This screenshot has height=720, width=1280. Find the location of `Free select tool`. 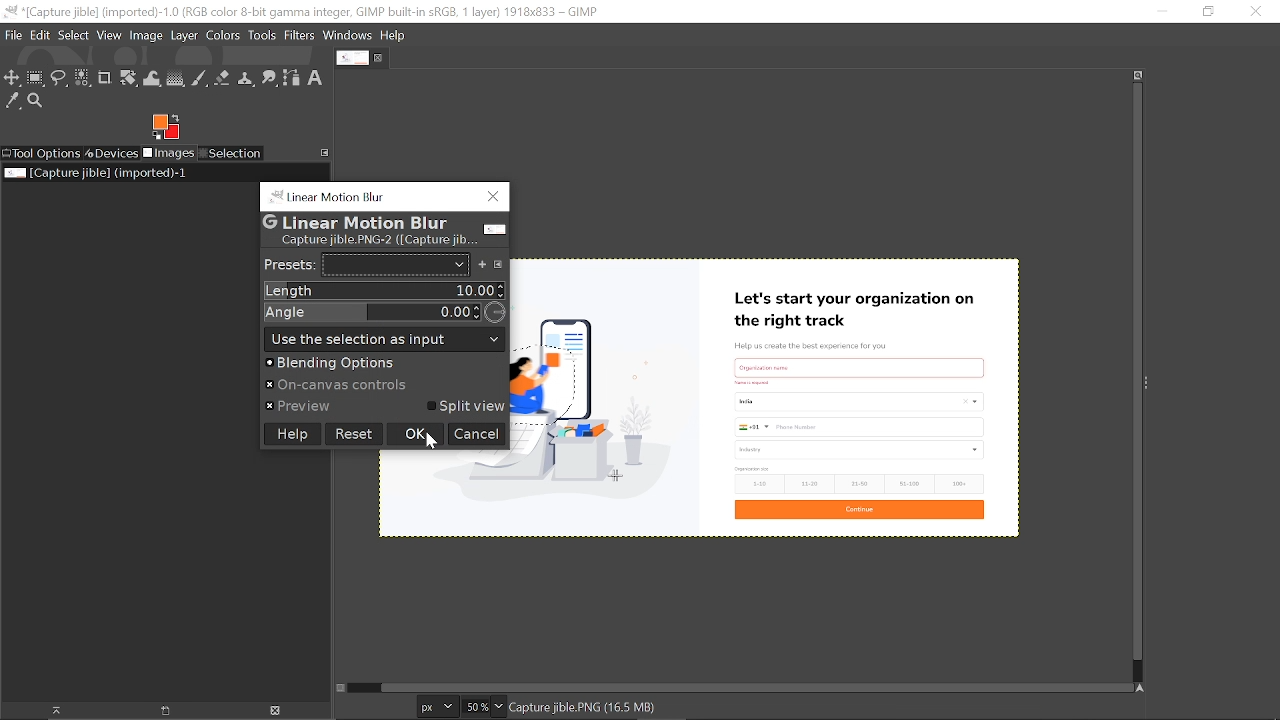

Free select tool is located at coordinates (58, 78).